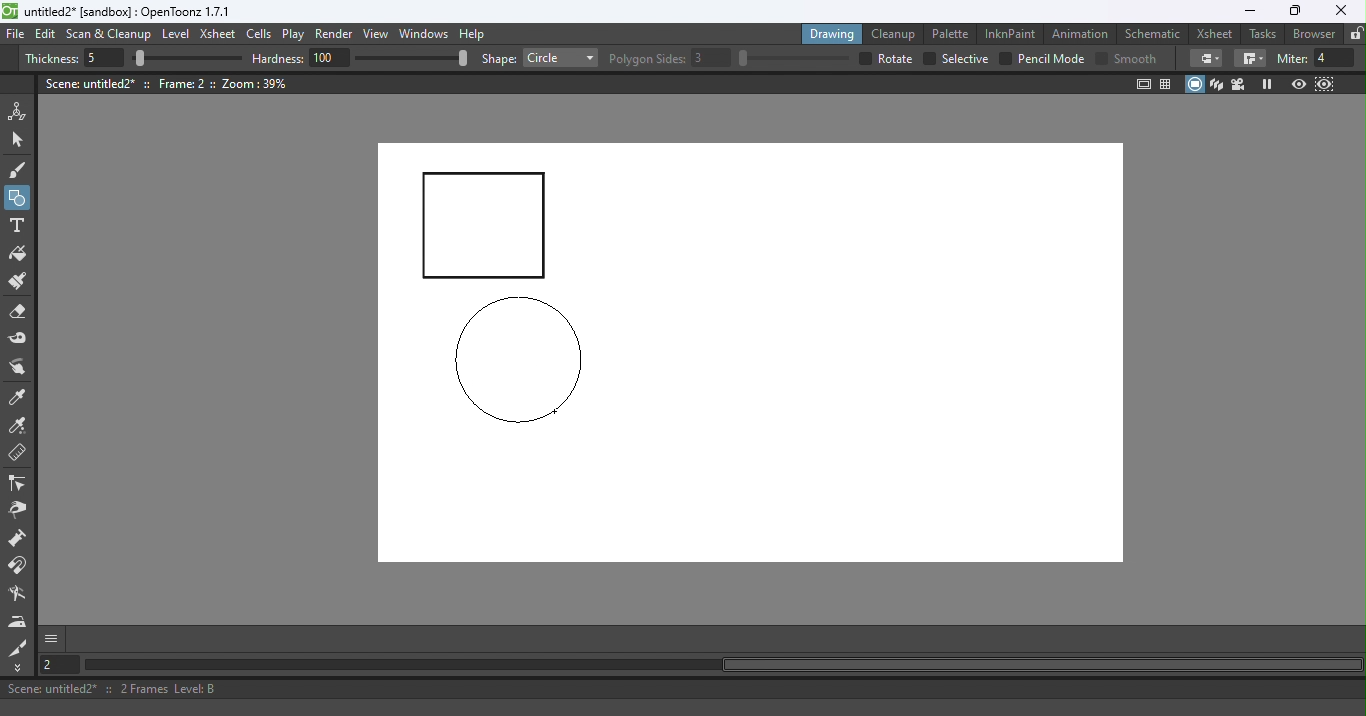  Describe the element at coordinates (1264, 34) in the screenshot. I see `Tasks` at that location.